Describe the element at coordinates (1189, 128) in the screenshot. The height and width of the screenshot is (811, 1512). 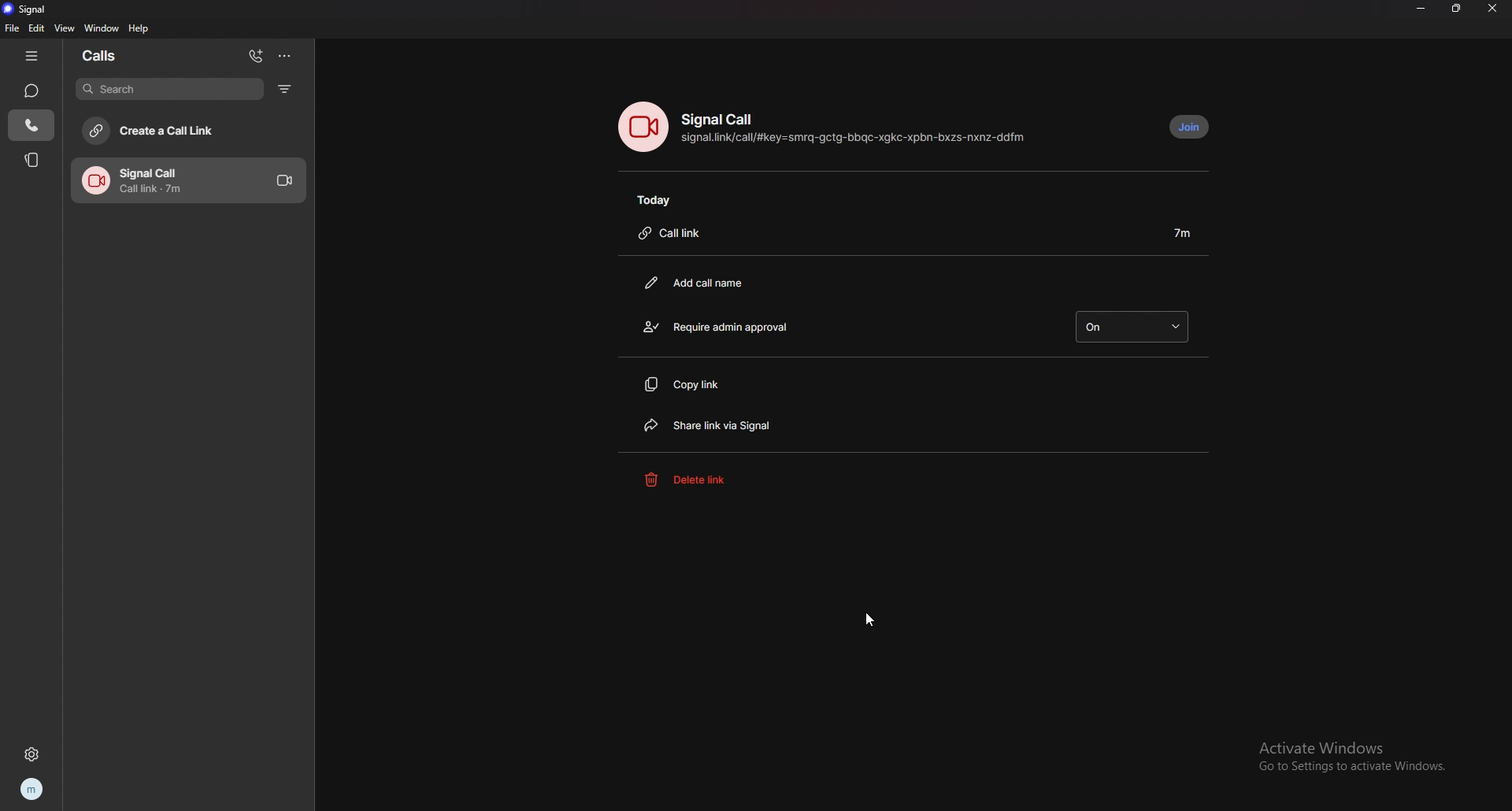
I see `join` at that location.